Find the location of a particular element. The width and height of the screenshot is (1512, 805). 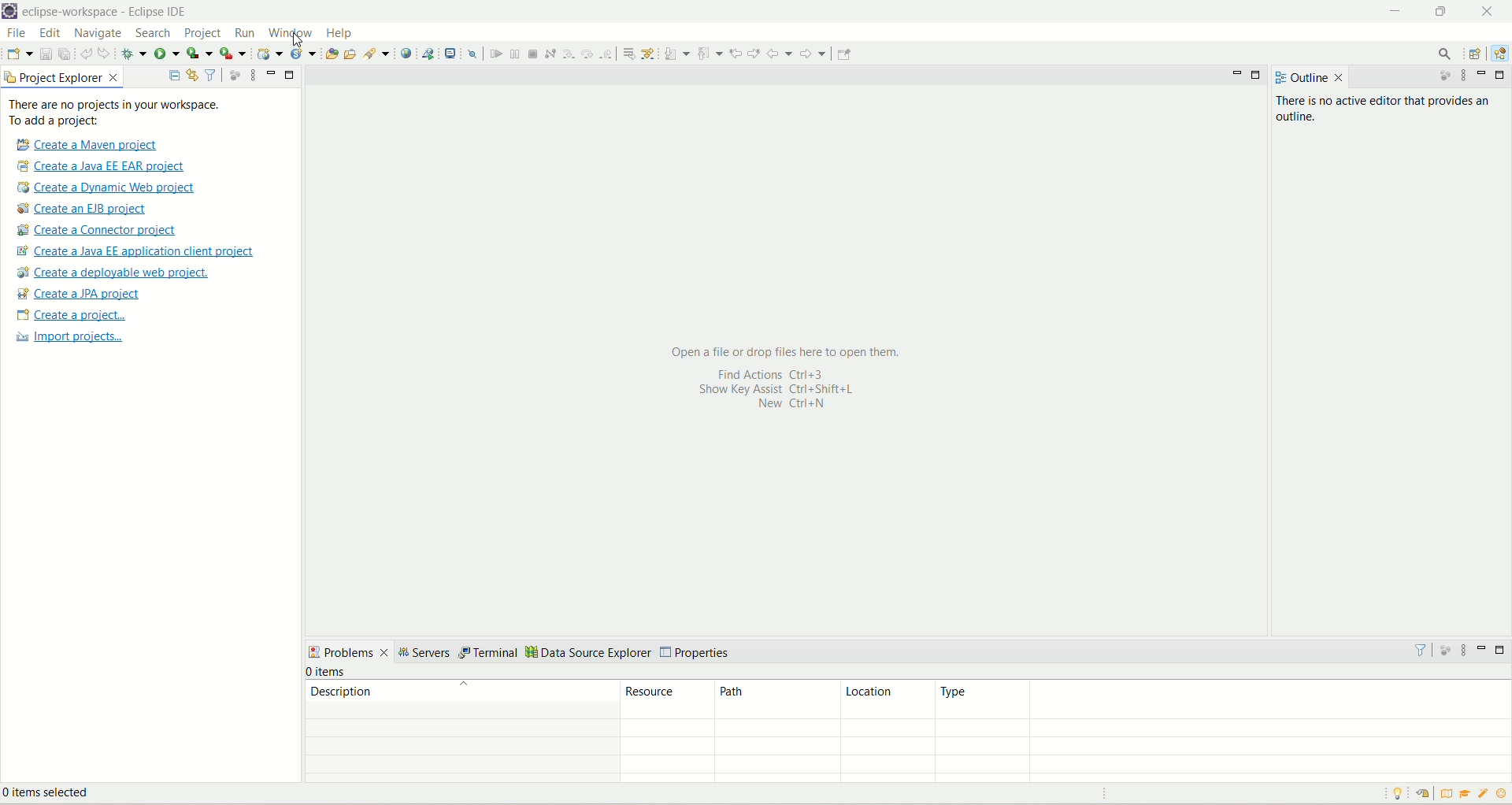

maximize is located at coordinates (1503, 650).